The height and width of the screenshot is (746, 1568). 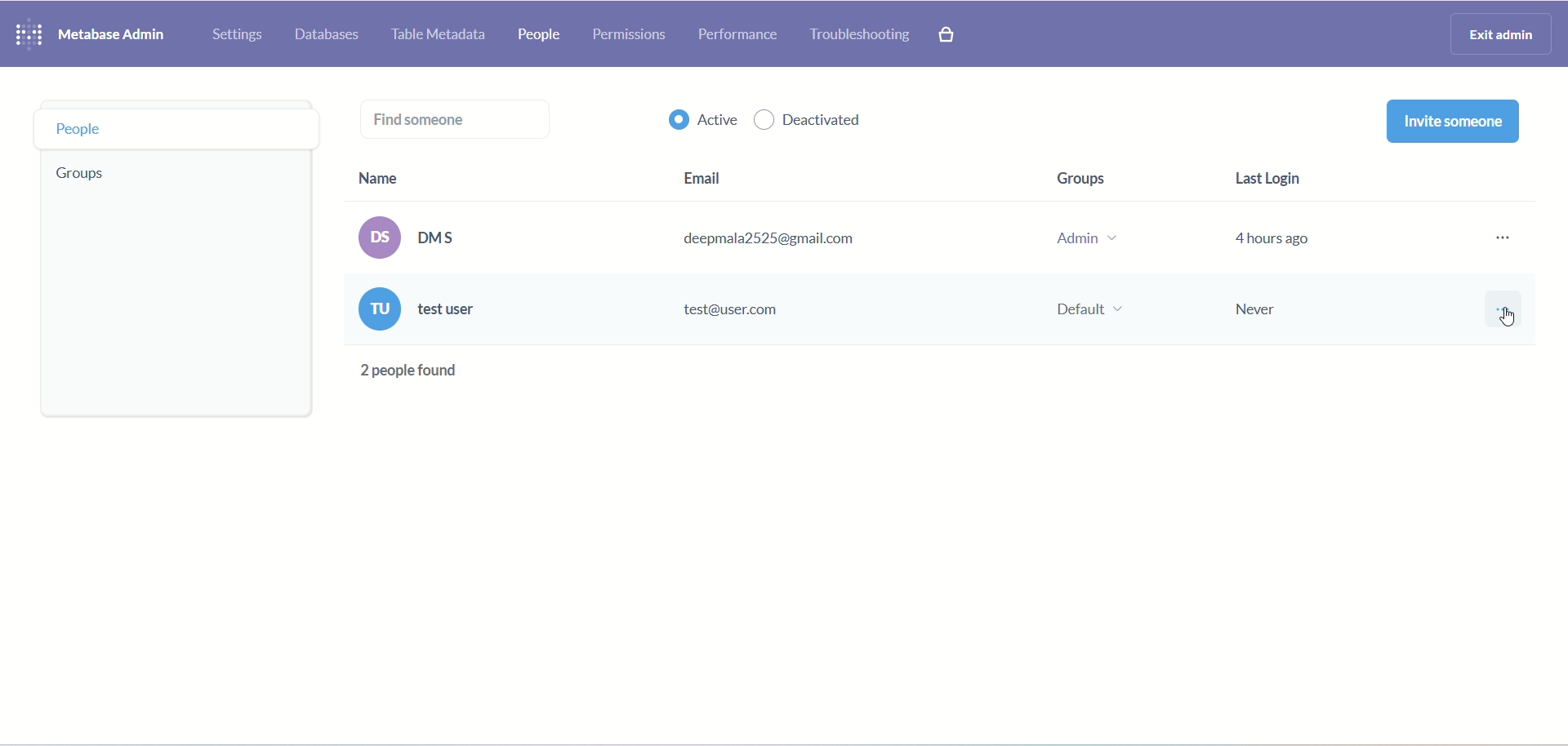 I want to click on (ru) test user test@user.com Default ~ Never, so click(x=835, y=310).